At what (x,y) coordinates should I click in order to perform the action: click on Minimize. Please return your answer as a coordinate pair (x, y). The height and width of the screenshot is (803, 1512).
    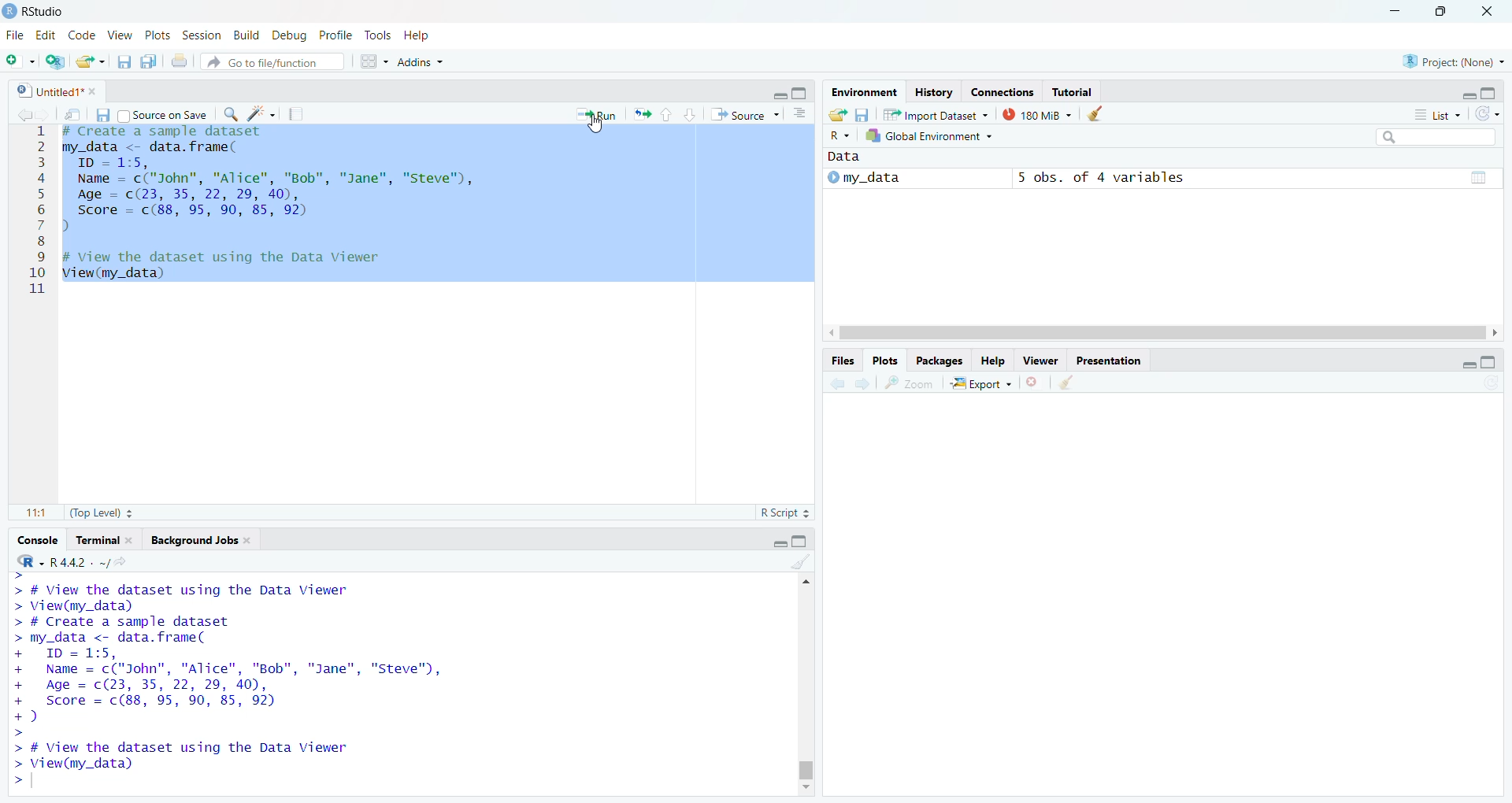
    Looking at the image, I should click on (780, 96).